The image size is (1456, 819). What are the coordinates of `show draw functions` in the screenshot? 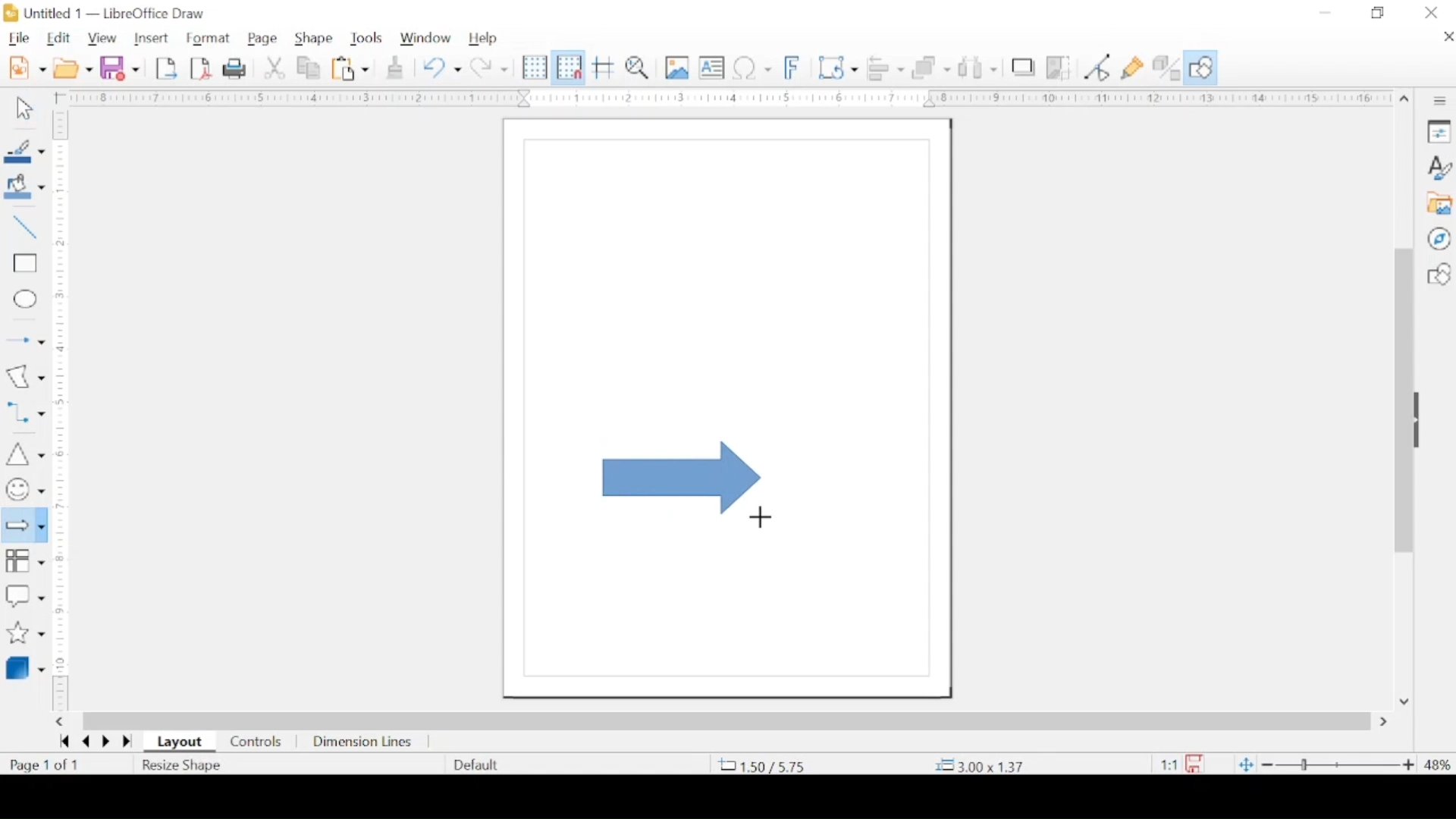 It's located at (1202, 67).